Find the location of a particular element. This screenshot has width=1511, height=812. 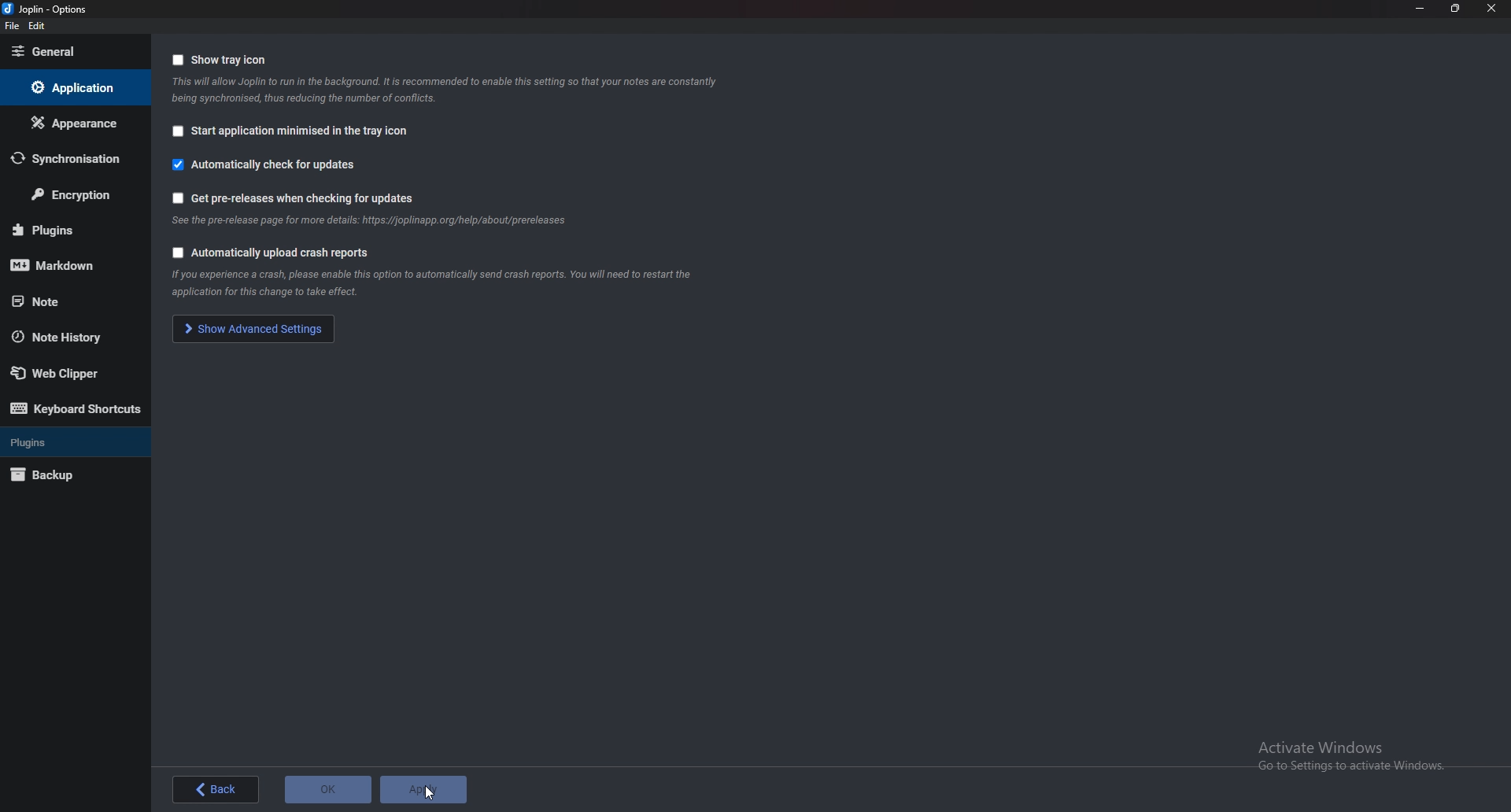

Appearance is located at coordinates (72, 124).